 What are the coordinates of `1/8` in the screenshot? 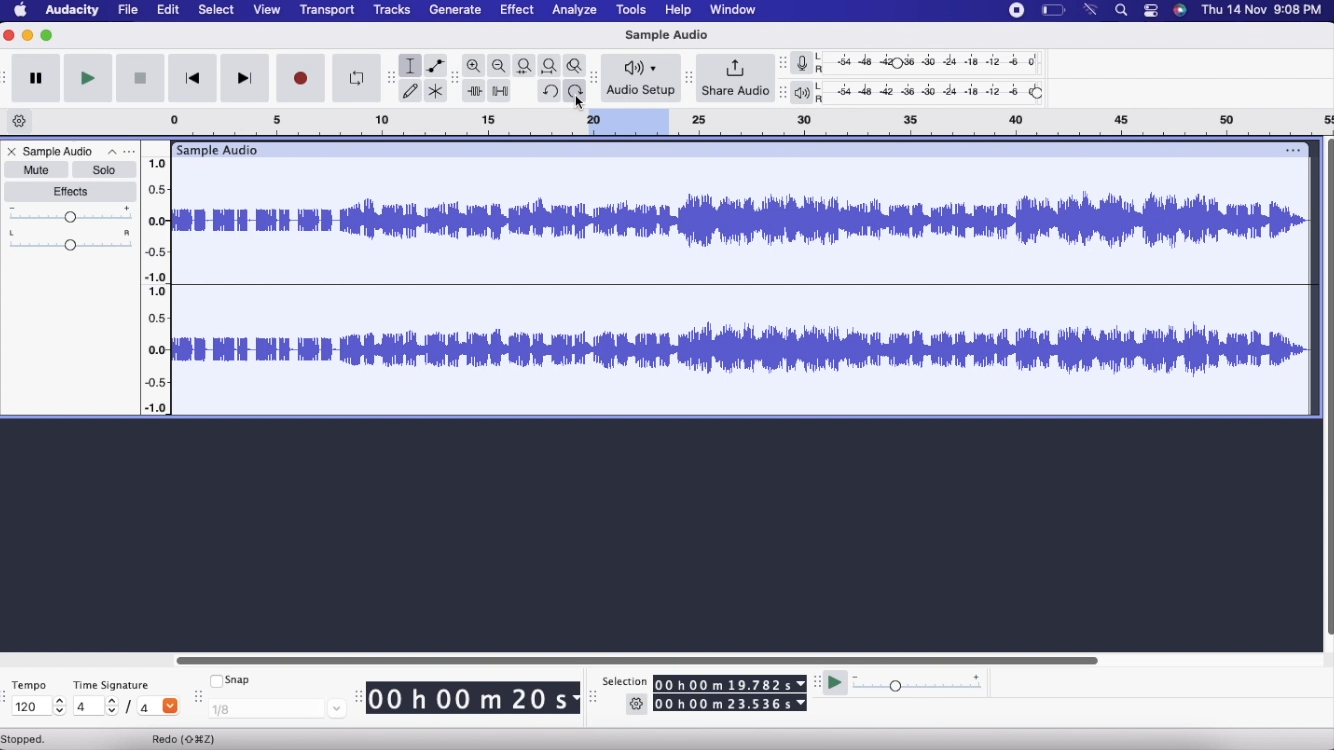 It's located at (276, 710).